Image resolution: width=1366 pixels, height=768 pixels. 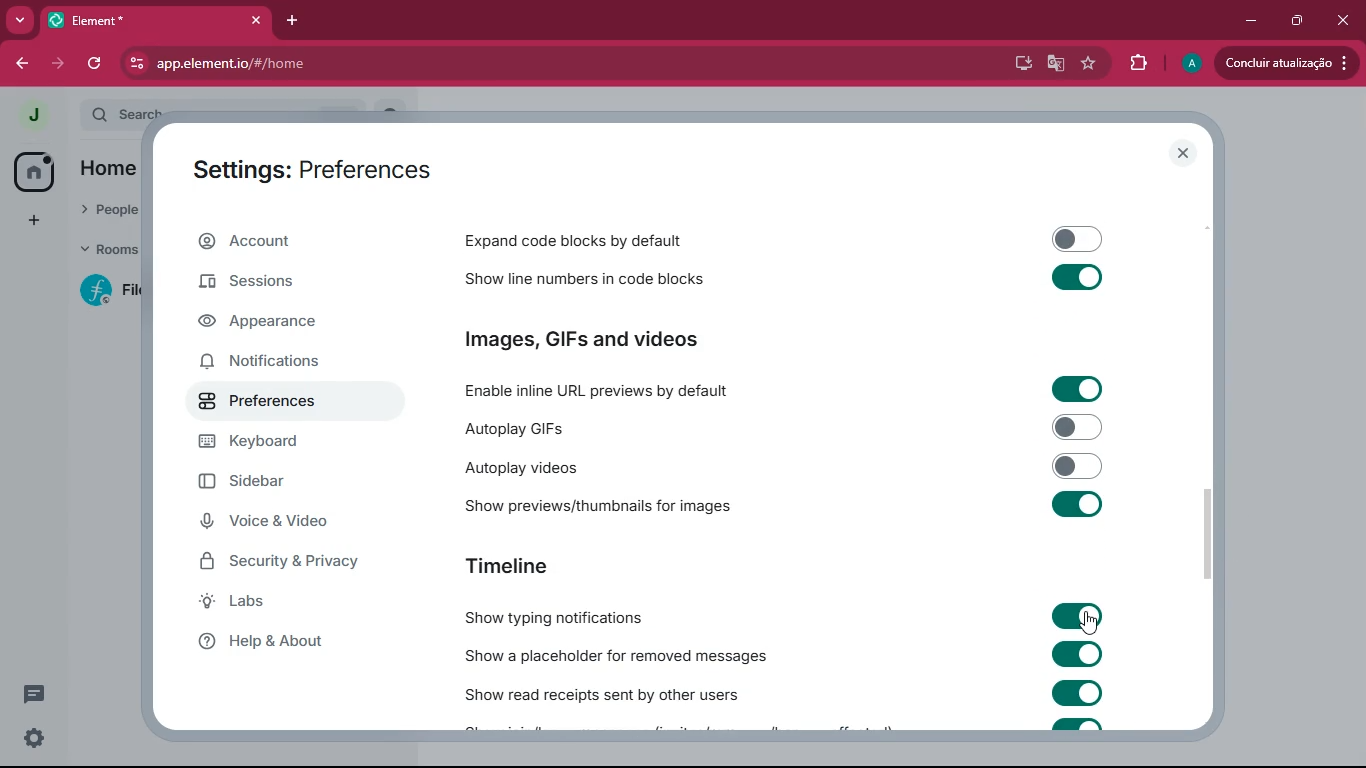 What do you see at coordinates (612, 240) in the screenshot?
I see `expand code blocks by default` at bounding box center [612, 240].